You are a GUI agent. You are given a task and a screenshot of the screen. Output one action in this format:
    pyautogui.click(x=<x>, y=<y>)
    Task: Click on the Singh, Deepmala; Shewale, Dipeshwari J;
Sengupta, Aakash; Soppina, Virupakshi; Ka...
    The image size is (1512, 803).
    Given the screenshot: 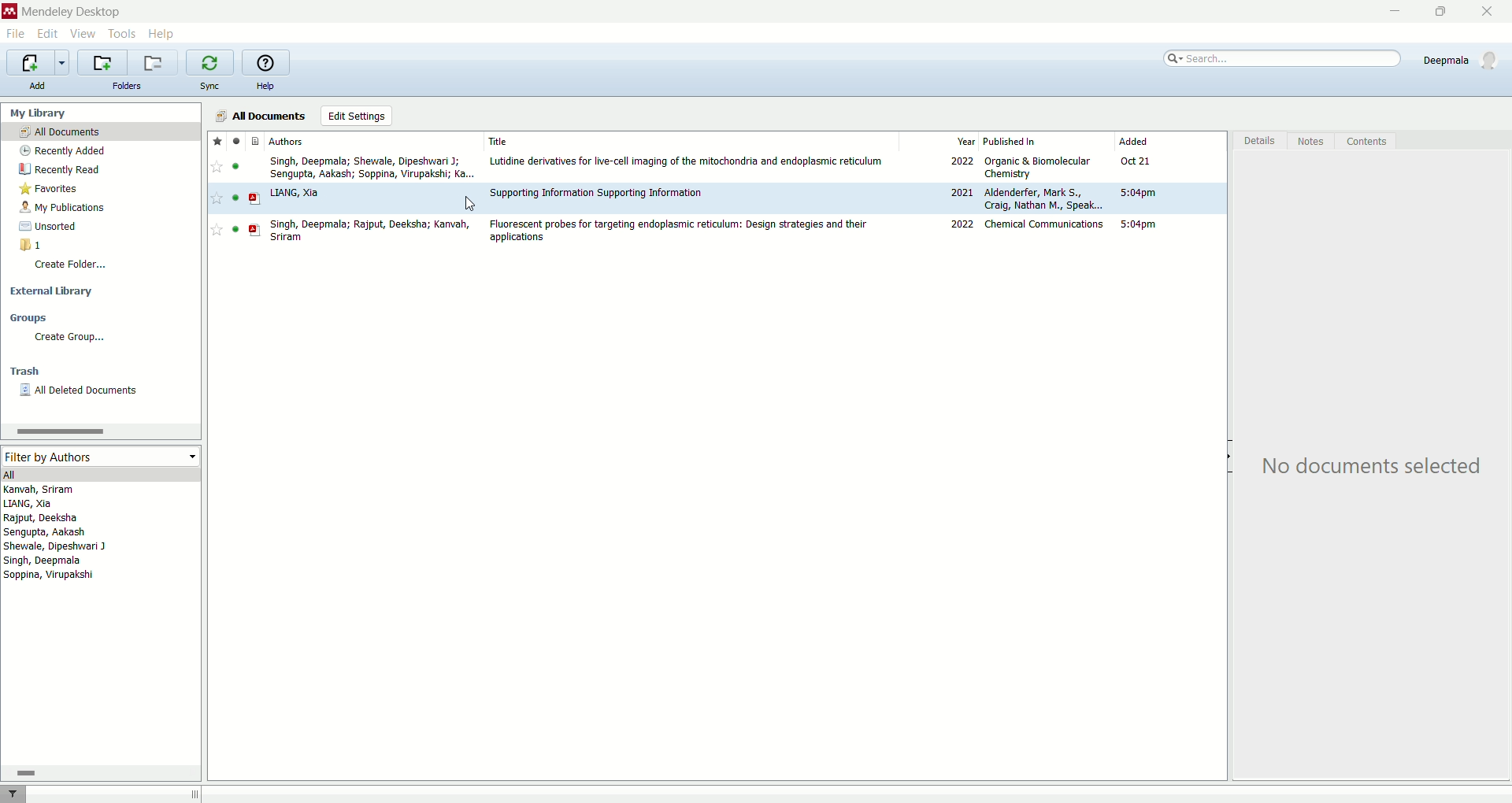 What is the action you would take?
    pyautogui.click(x=372, y=168)
    